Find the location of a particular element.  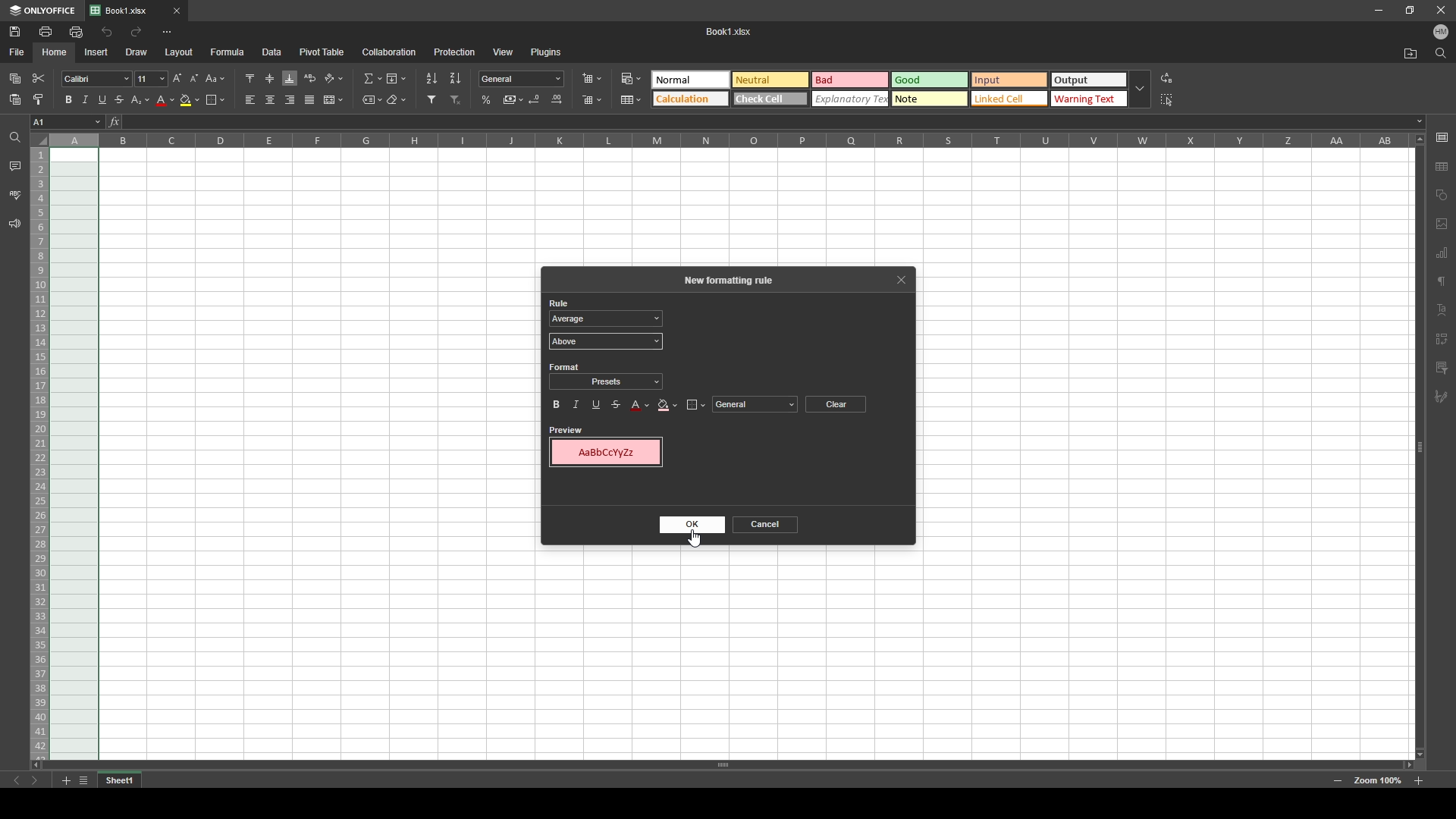

cursor is located at coordinates (687, 533).